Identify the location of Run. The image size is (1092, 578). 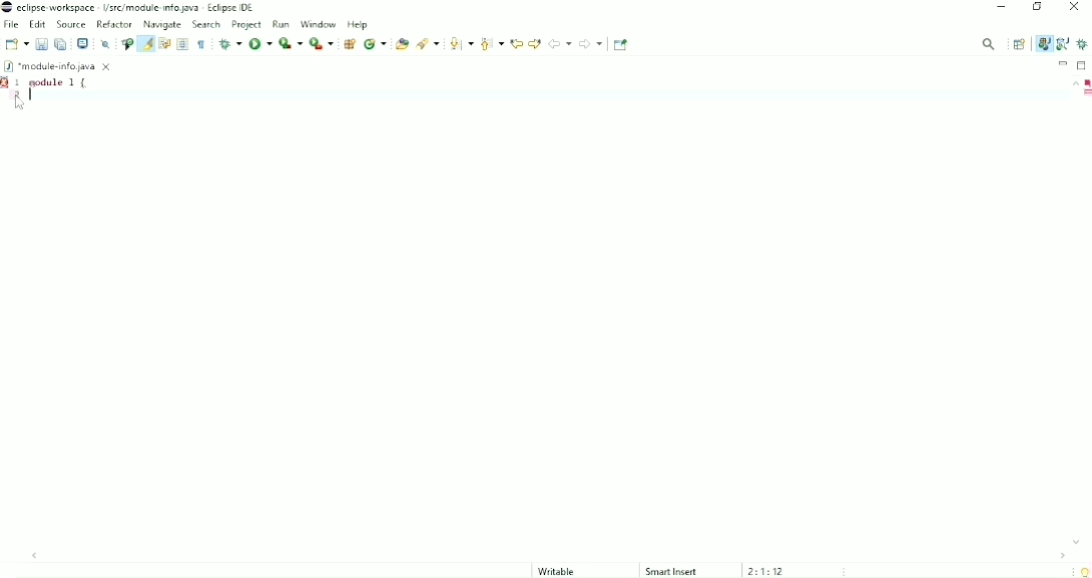
(283, 23).